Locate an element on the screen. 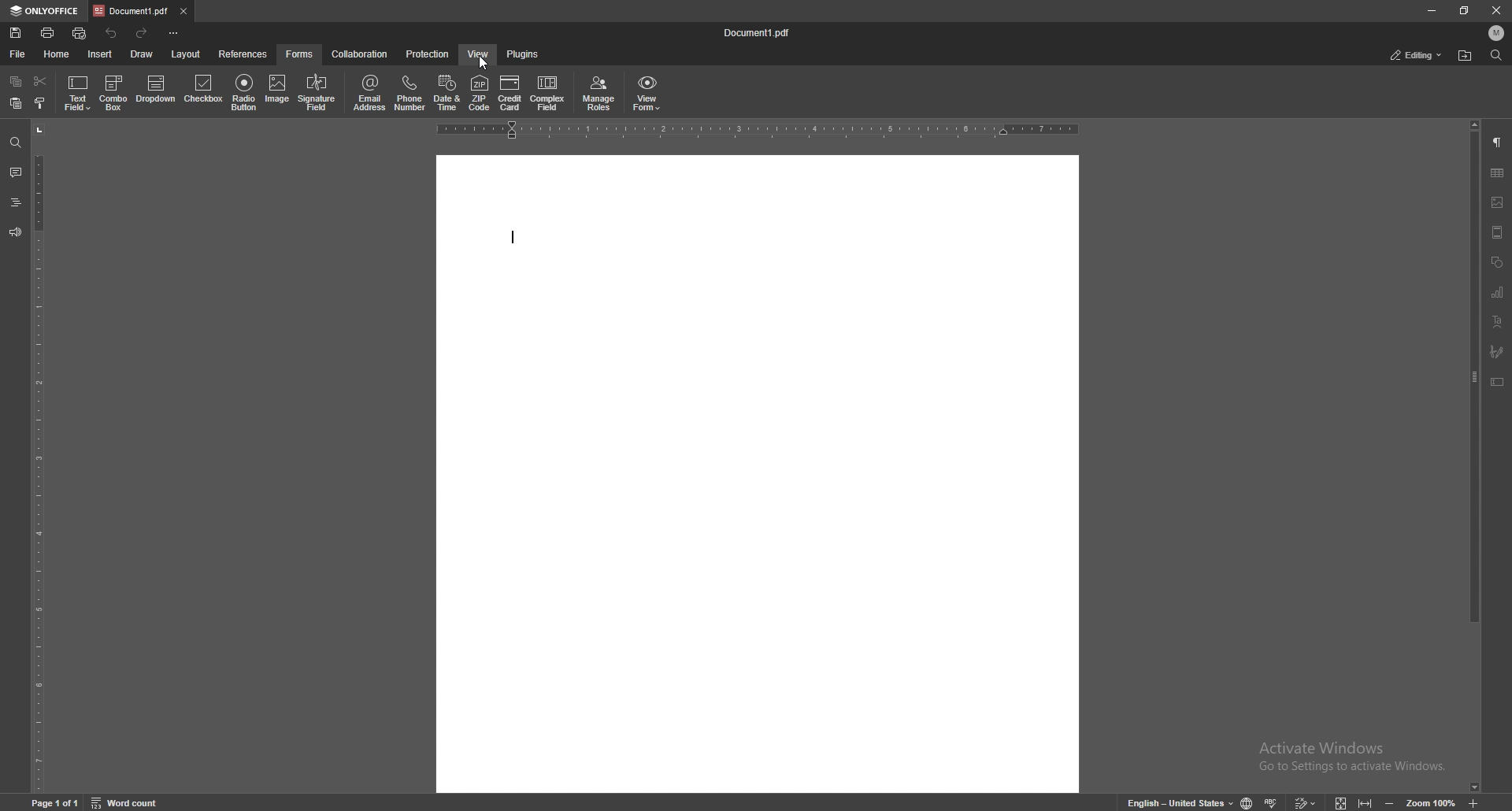  plugins is located at coordinates (524, 54).